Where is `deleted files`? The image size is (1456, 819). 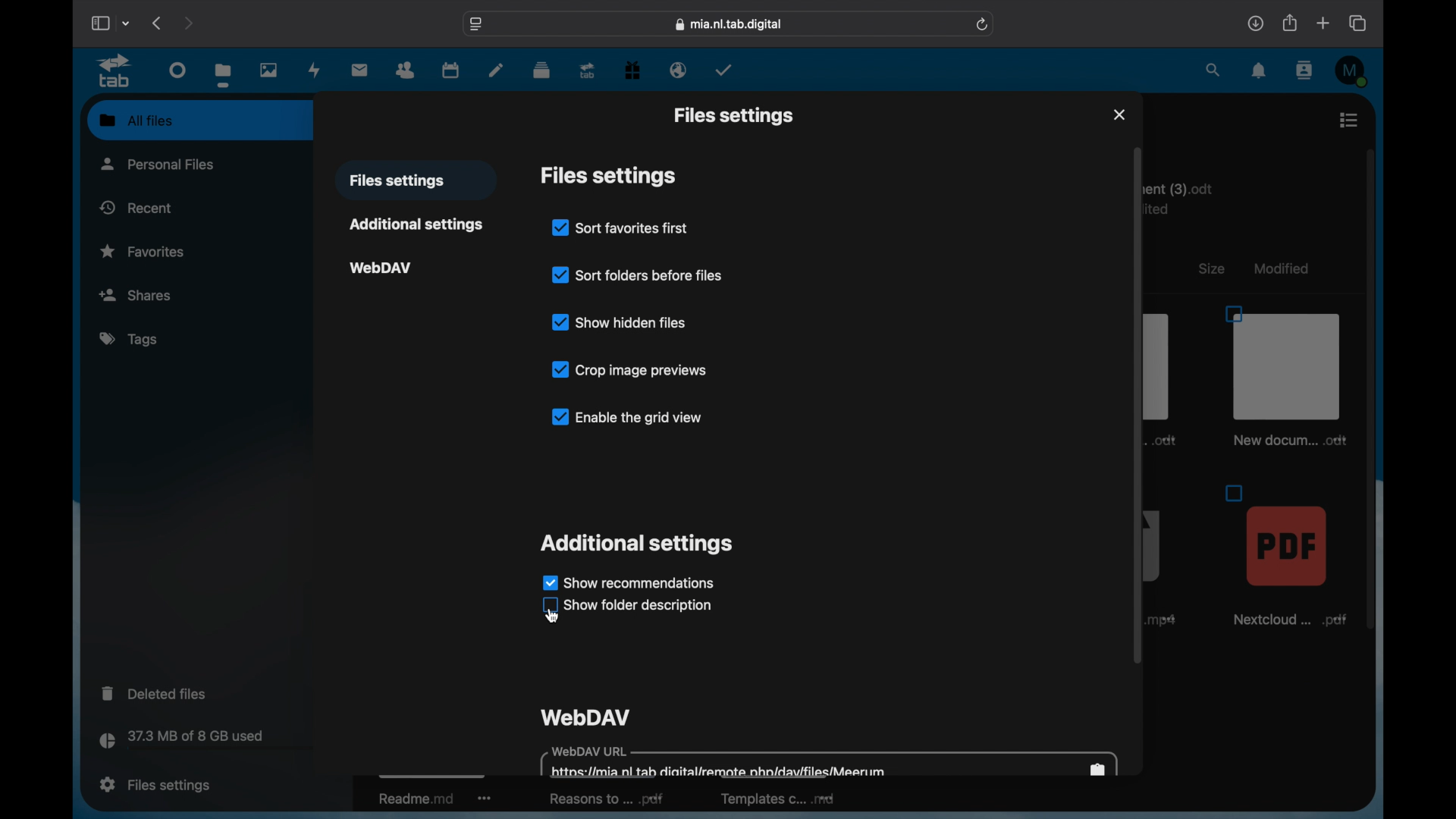 deleted files is located at coordinates (153, 692).